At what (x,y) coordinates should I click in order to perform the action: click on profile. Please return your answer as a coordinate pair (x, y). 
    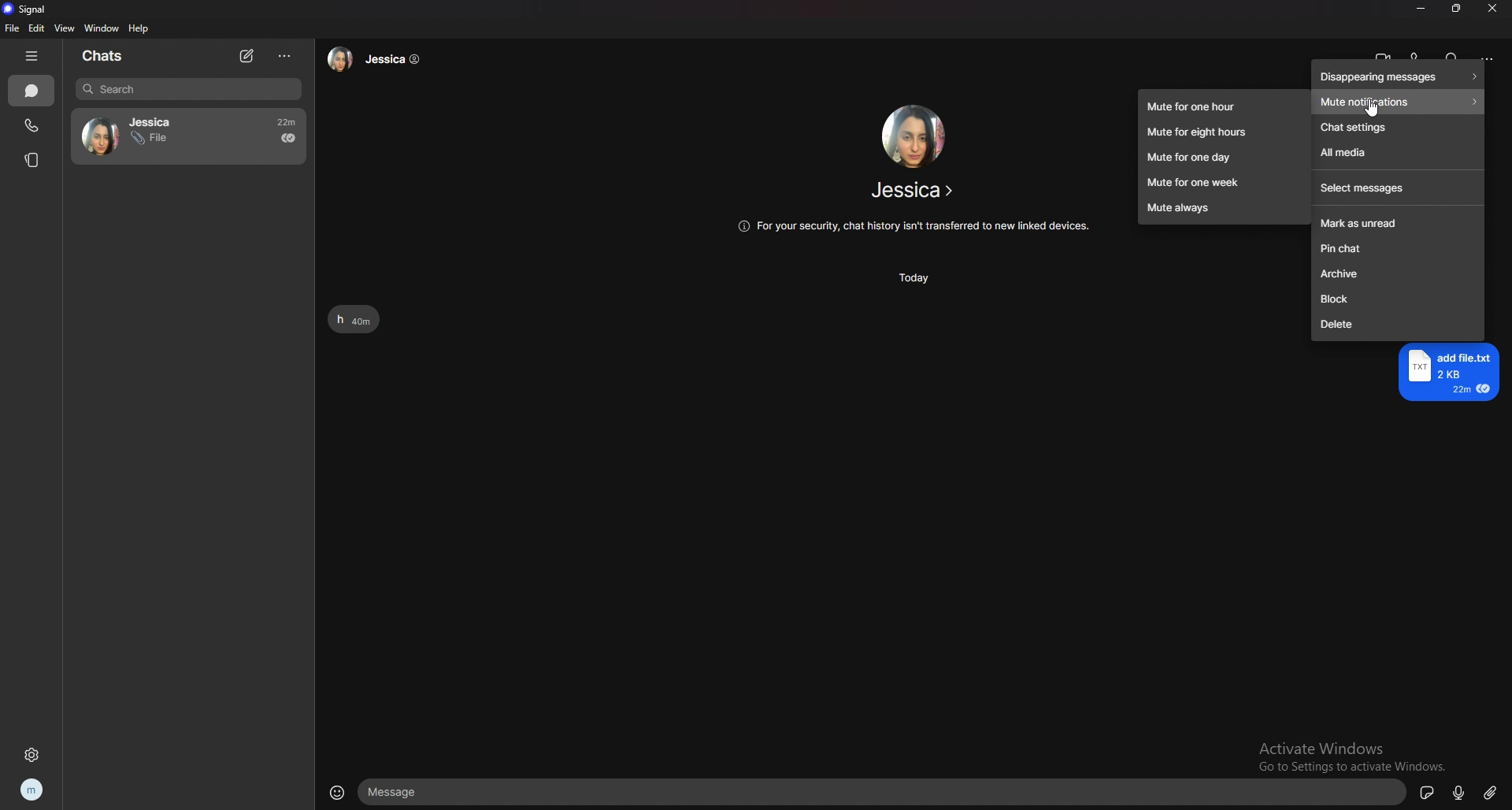
    Looking at the image, I should click on (32, 790).